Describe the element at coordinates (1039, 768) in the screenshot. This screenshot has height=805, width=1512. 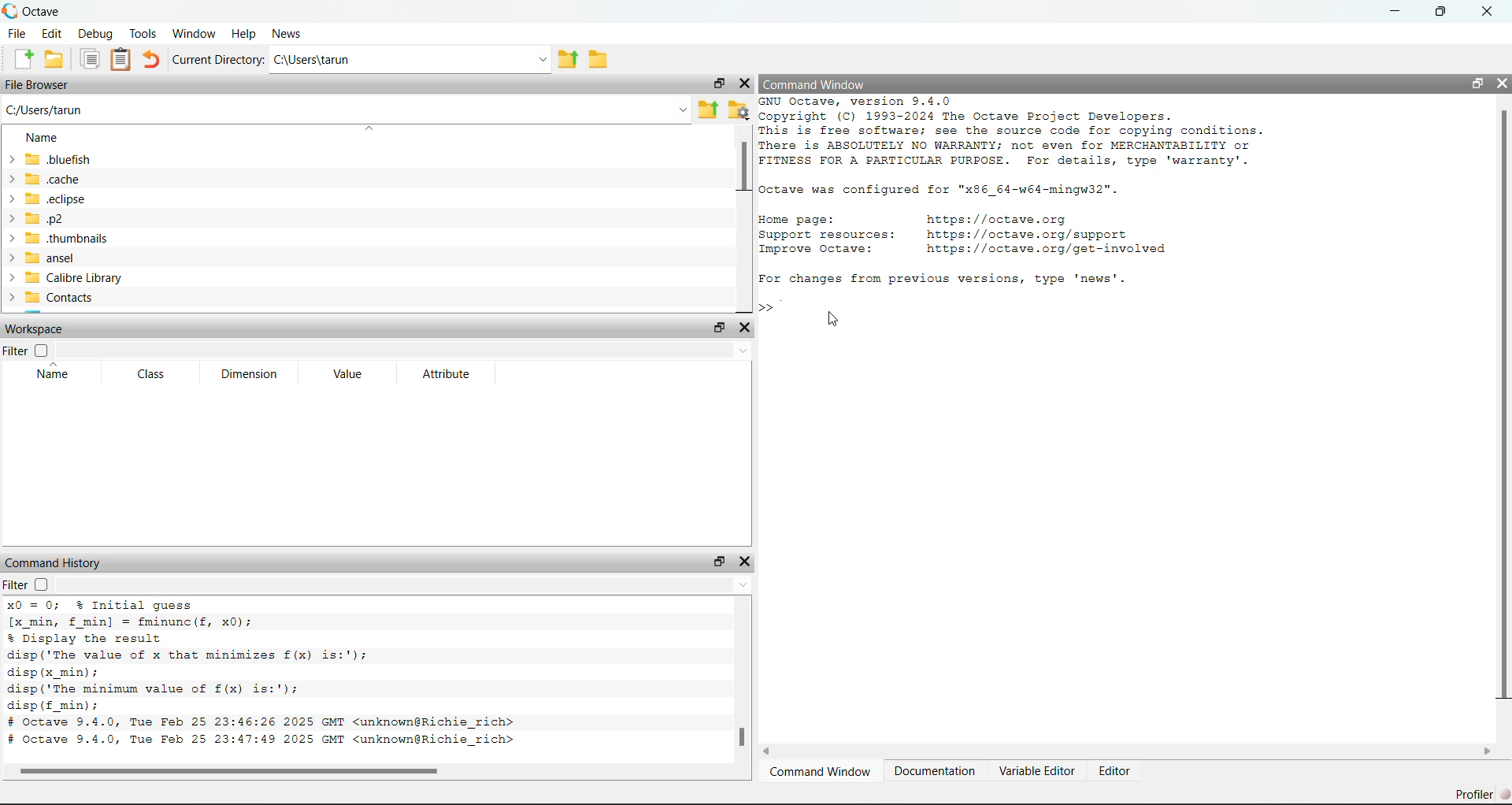
I see `Variable Editor` at that location.